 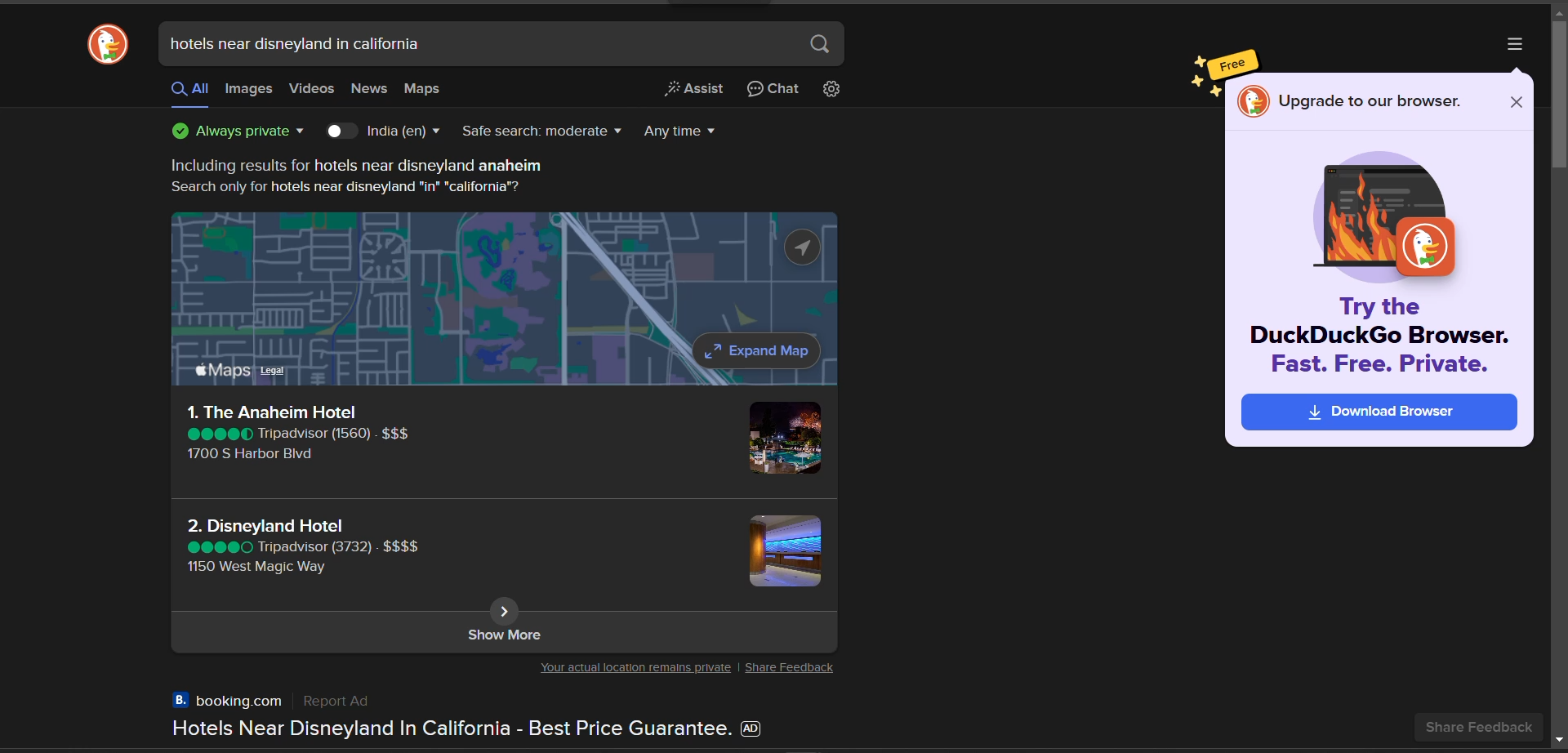 What do you see at coordinates (783, 440) in the screenshot?
I see `image` at bounding box center [783, 440].